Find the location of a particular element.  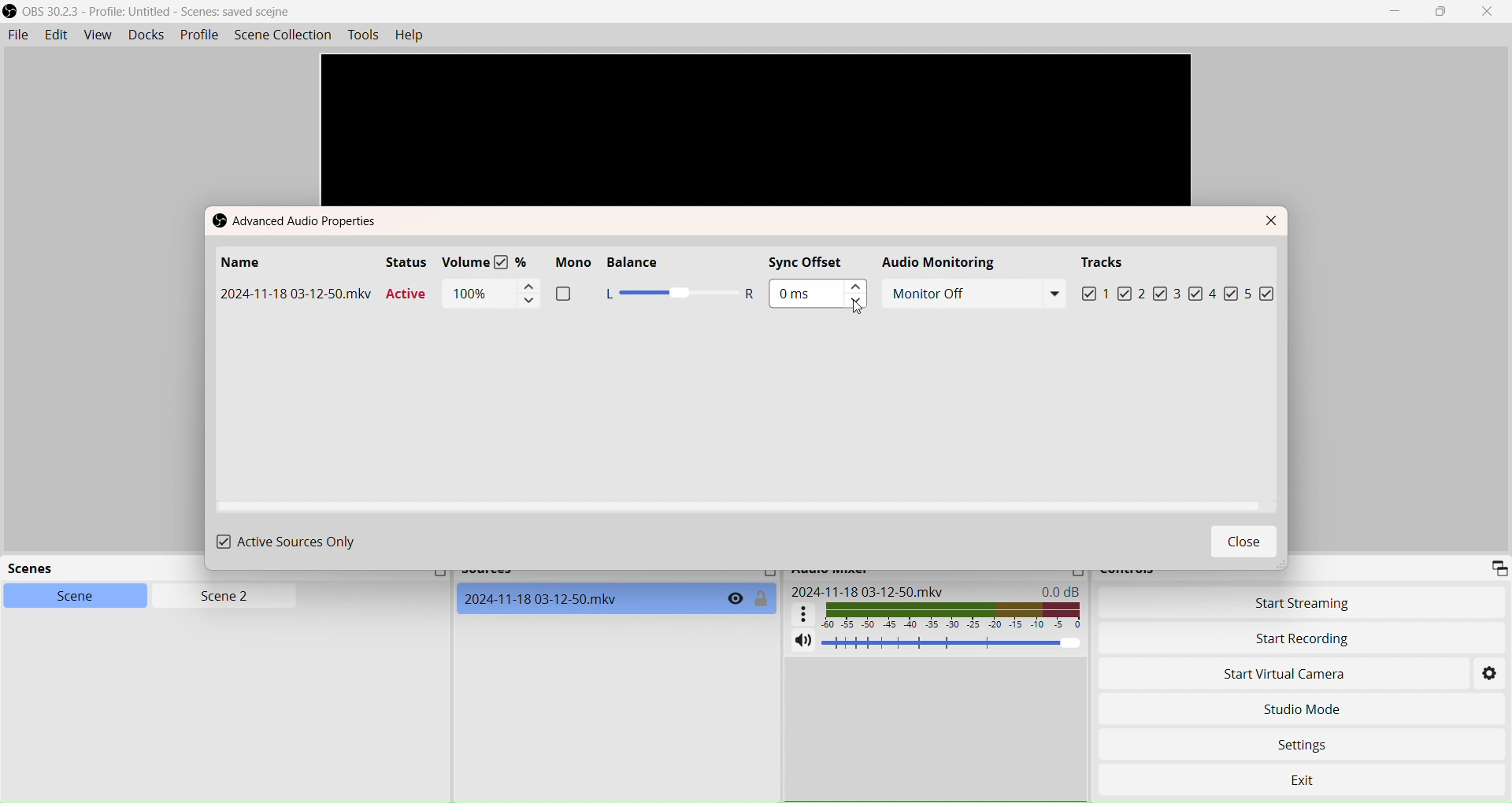

WebCam Source is located at coordinates (544, 598).